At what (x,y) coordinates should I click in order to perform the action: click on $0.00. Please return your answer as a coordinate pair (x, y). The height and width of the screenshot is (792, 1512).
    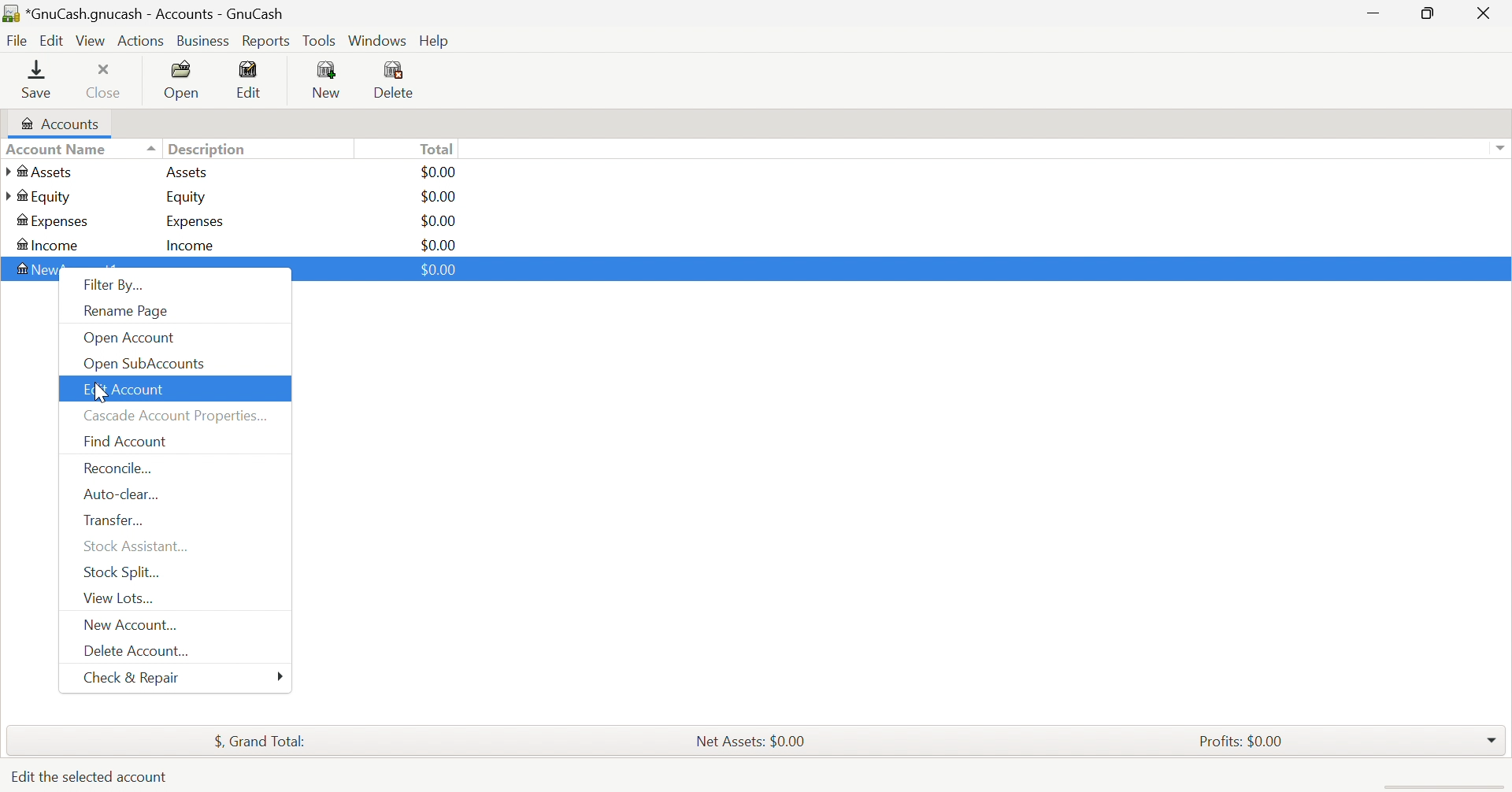
    Looking at the image, I should click on (439, 242).